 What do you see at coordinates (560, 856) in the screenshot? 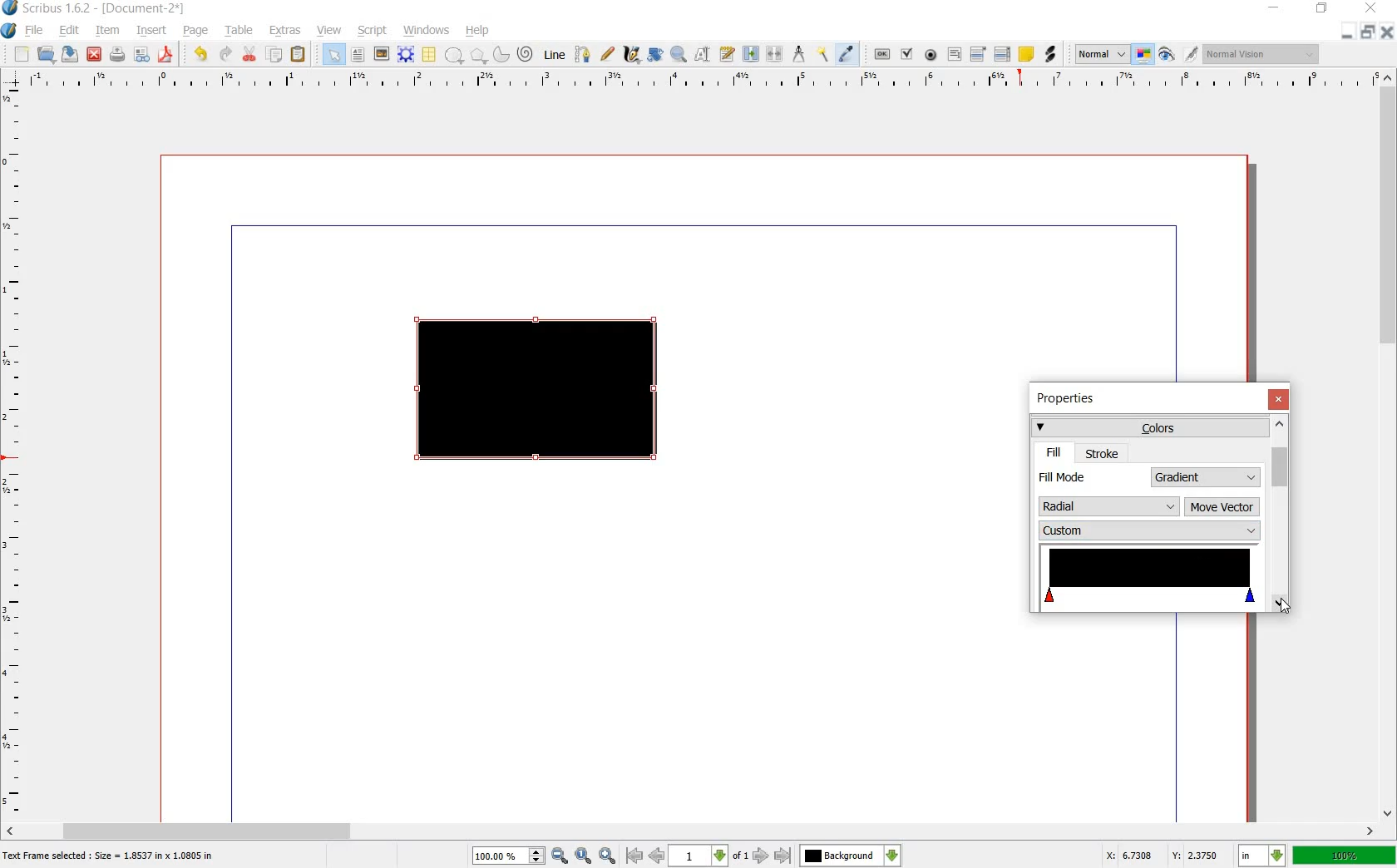
I see `zoom out` at bounding box center [560, 856].